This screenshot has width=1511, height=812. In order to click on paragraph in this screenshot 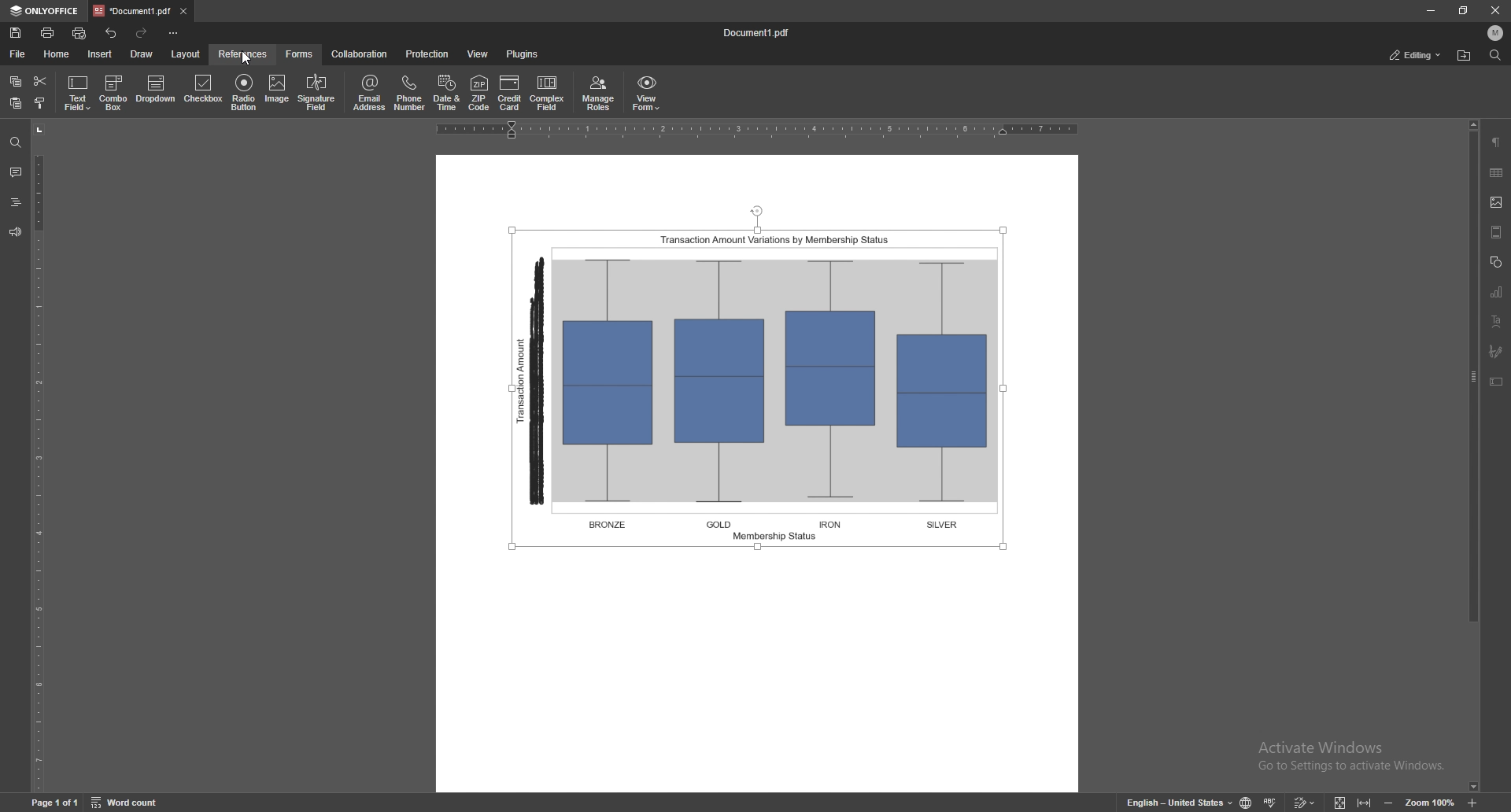, I will do `click(1496, 142)`.